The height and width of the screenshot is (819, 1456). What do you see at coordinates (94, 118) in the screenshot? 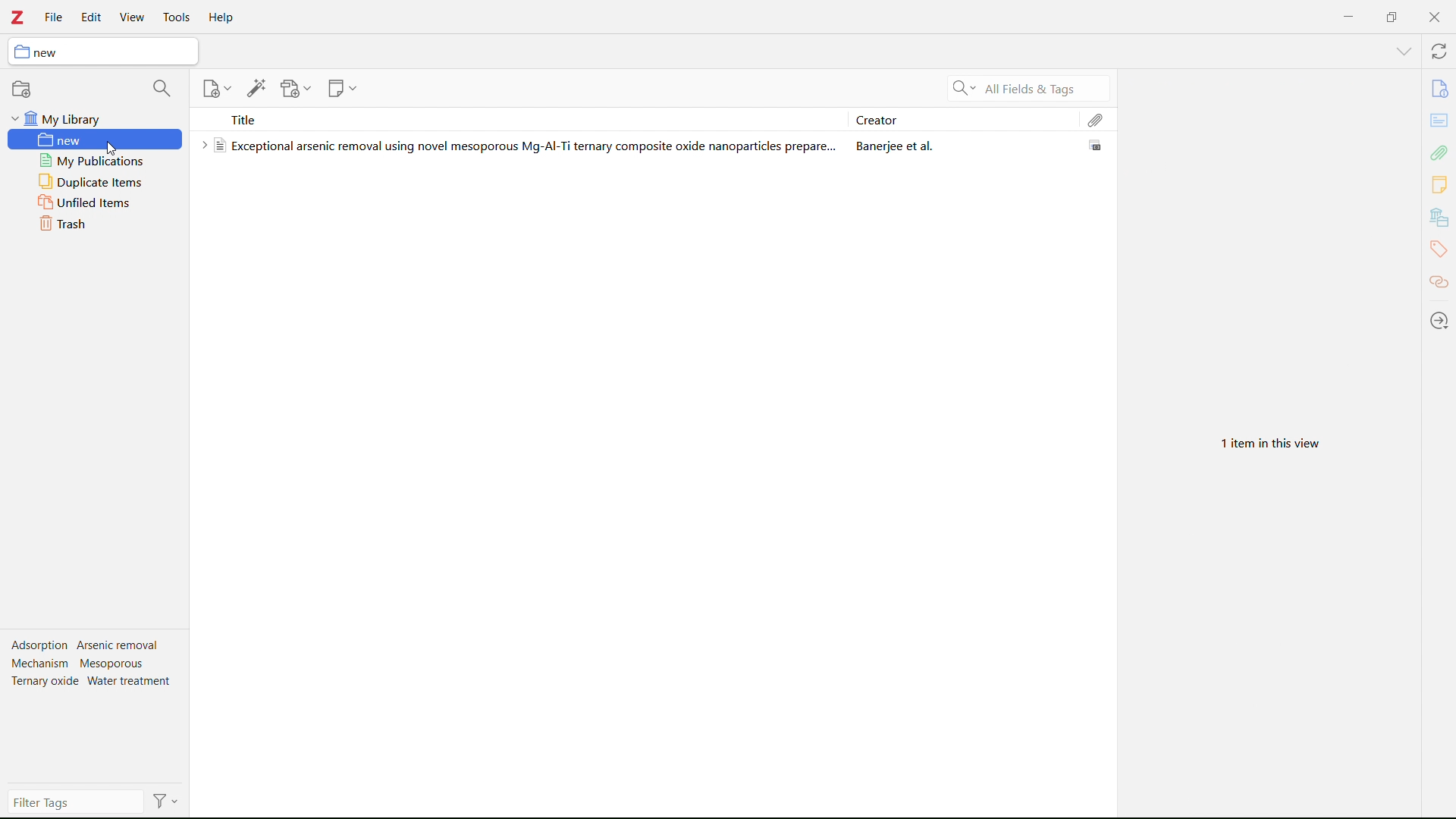
I see `my library` at bounding box center [94, 118].